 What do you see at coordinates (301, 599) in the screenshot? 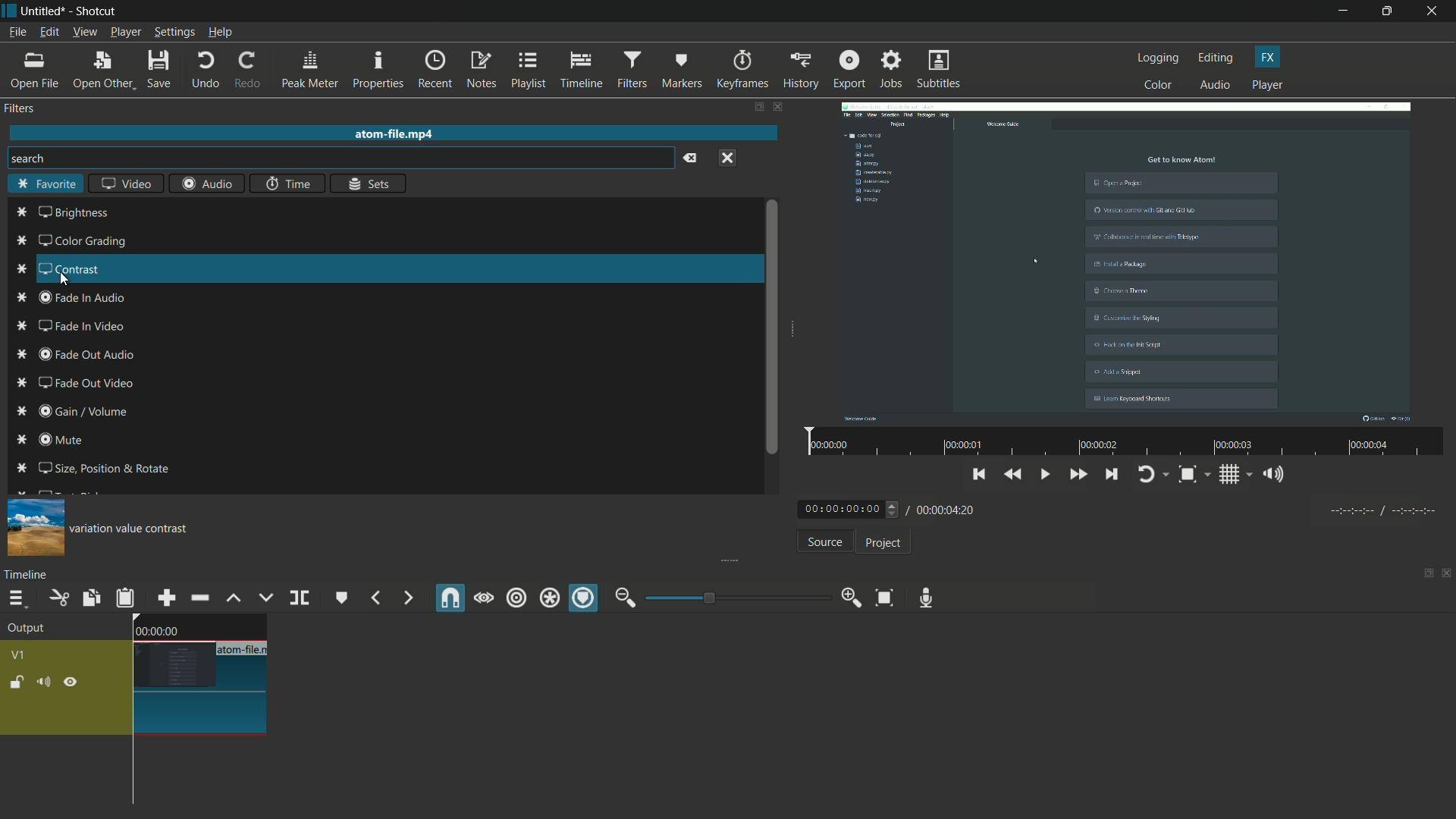
I see `split at playhead` at bounding box center [301, 599].